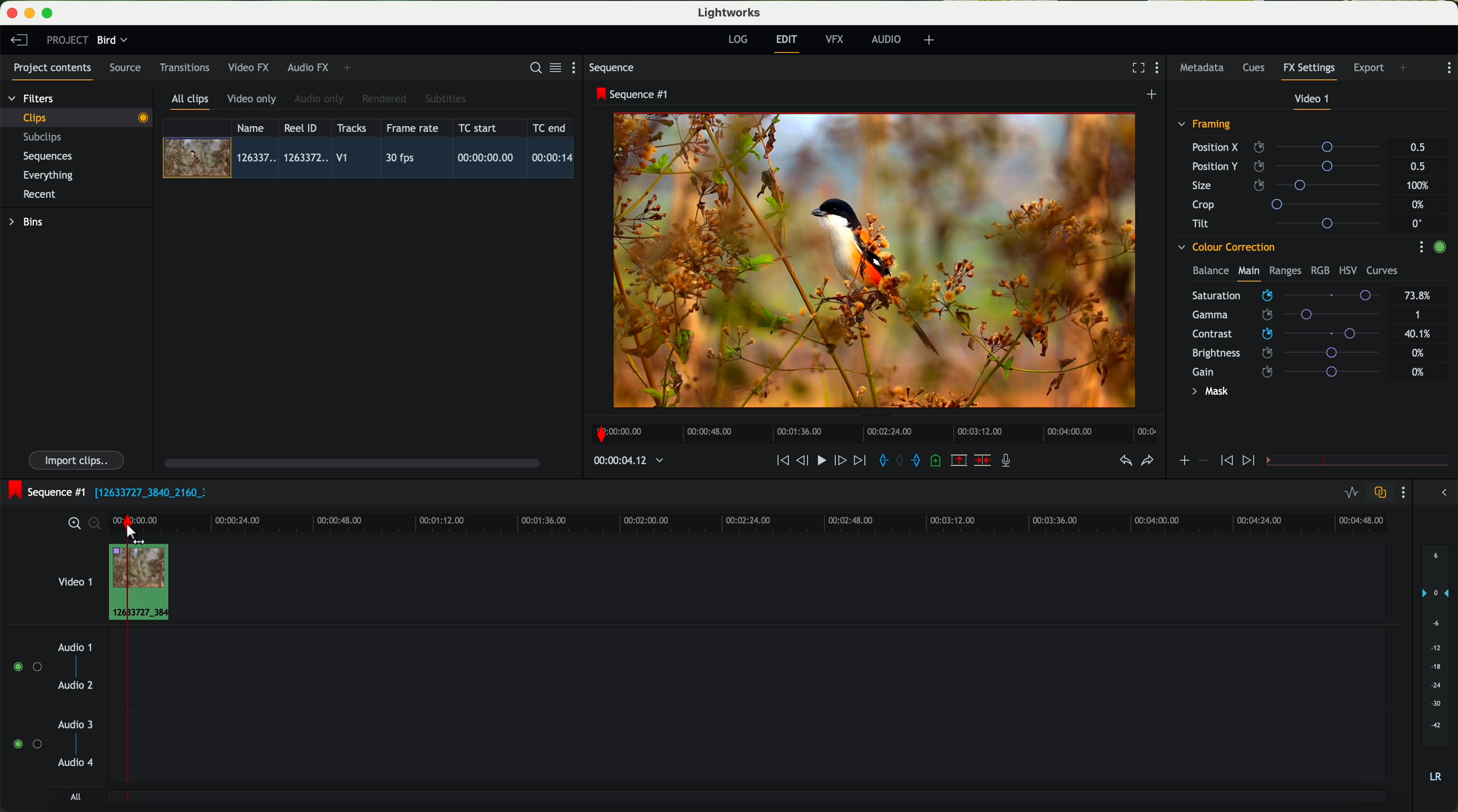 This screenshot has width=1458, height=812. What do you see at coordinates (32, 98) in the screenshot?
I see `filters` at bounding box center [32, 98].